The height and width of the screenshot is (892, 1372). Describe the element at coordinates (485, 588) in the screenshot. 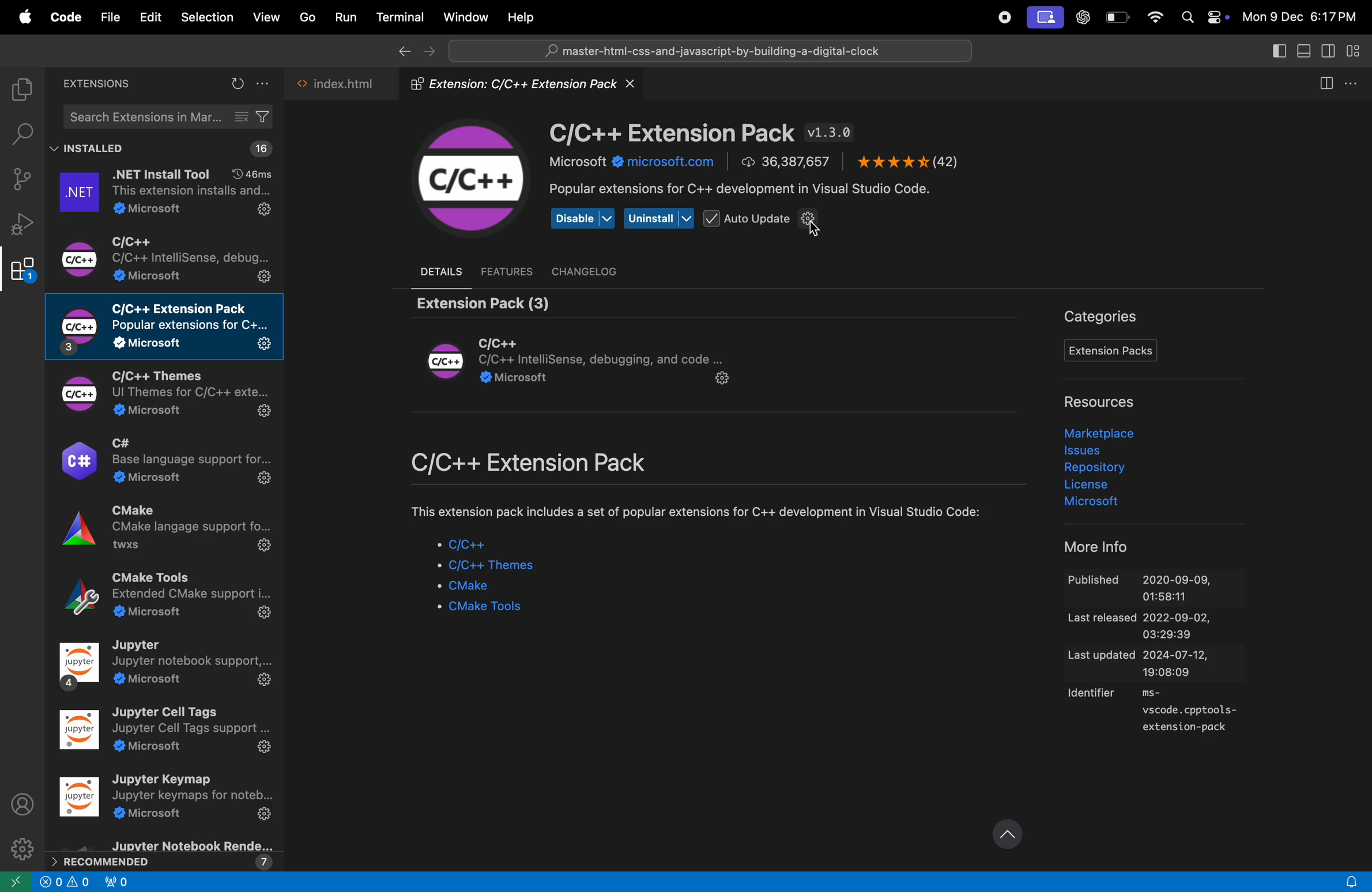

I see `Cmake` at that location.